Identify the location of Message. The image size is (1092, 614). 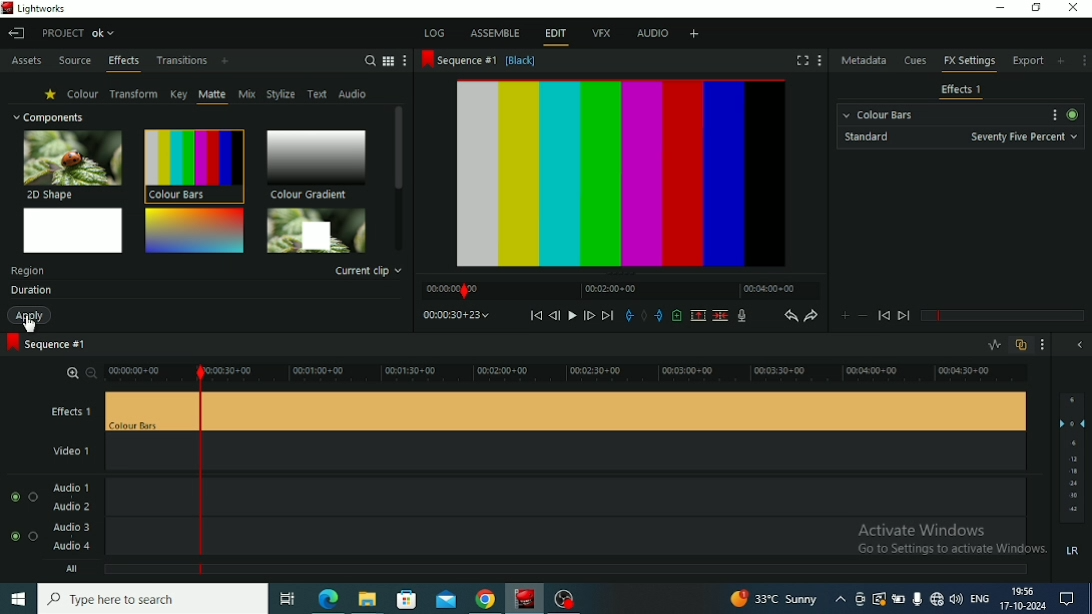
(1072, 599).